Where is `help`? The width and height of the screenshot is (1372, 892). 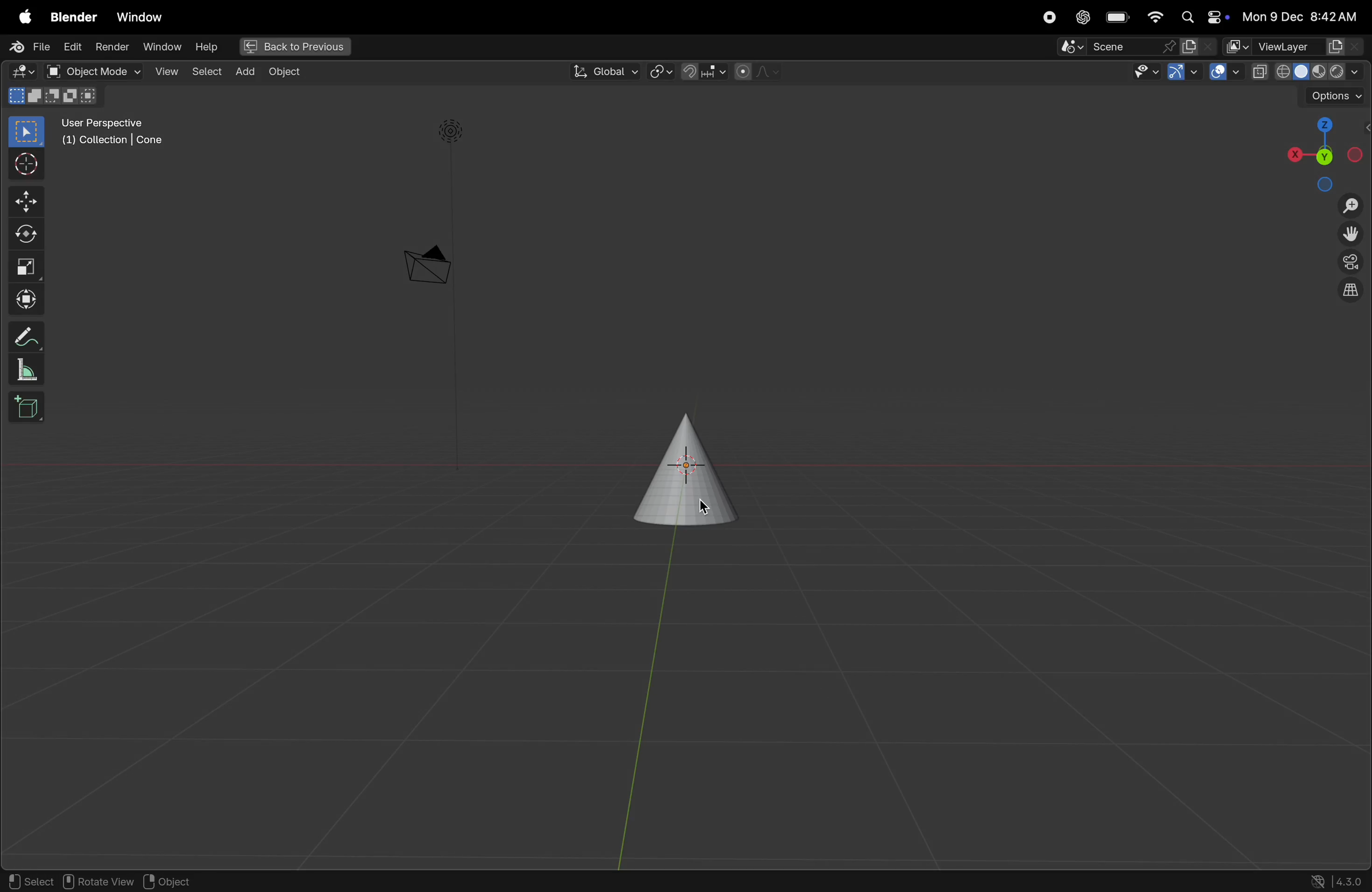 help is located at coordinates (210, 48).